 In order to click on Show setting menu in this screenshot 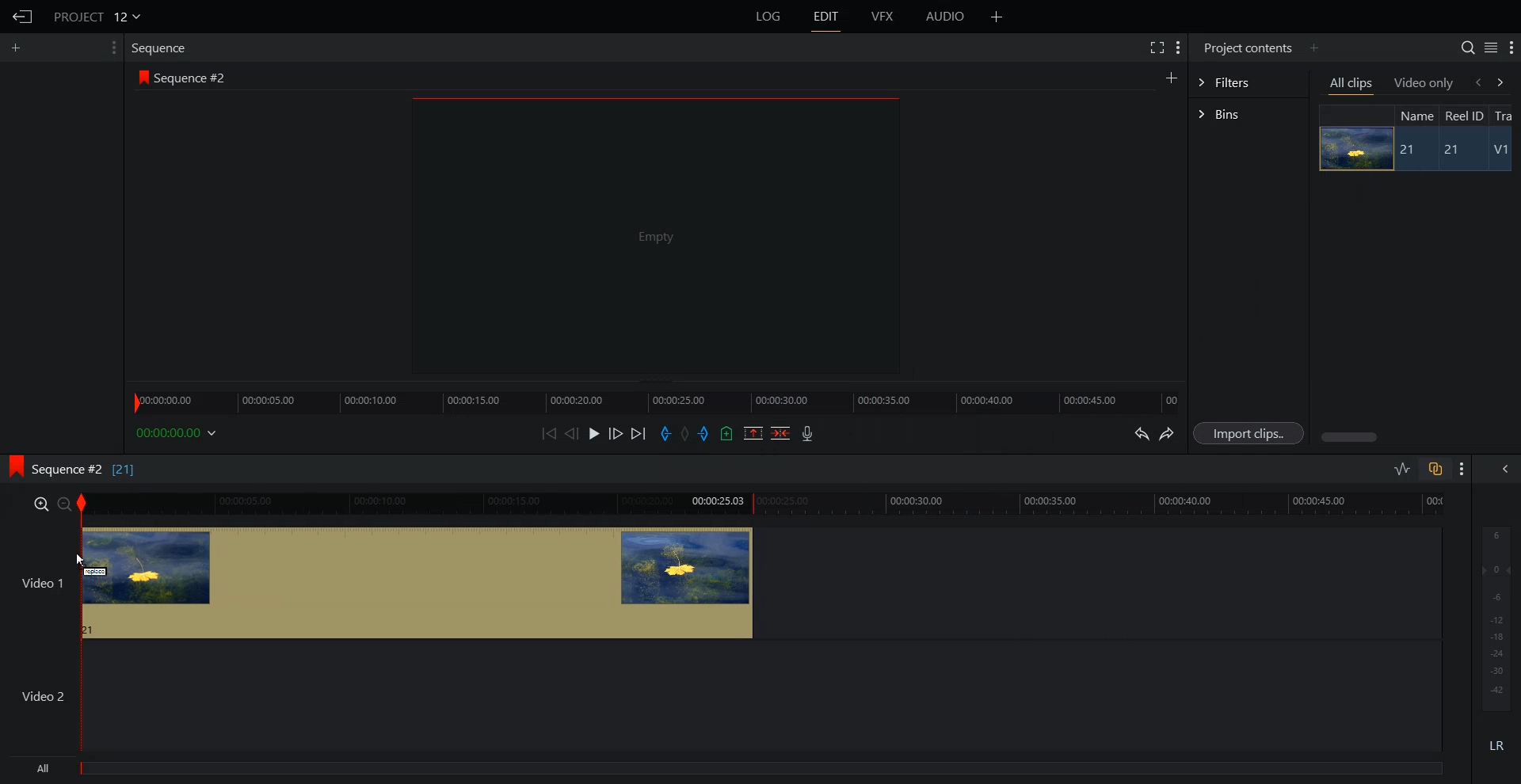, I will do `click(1462, 469)`.